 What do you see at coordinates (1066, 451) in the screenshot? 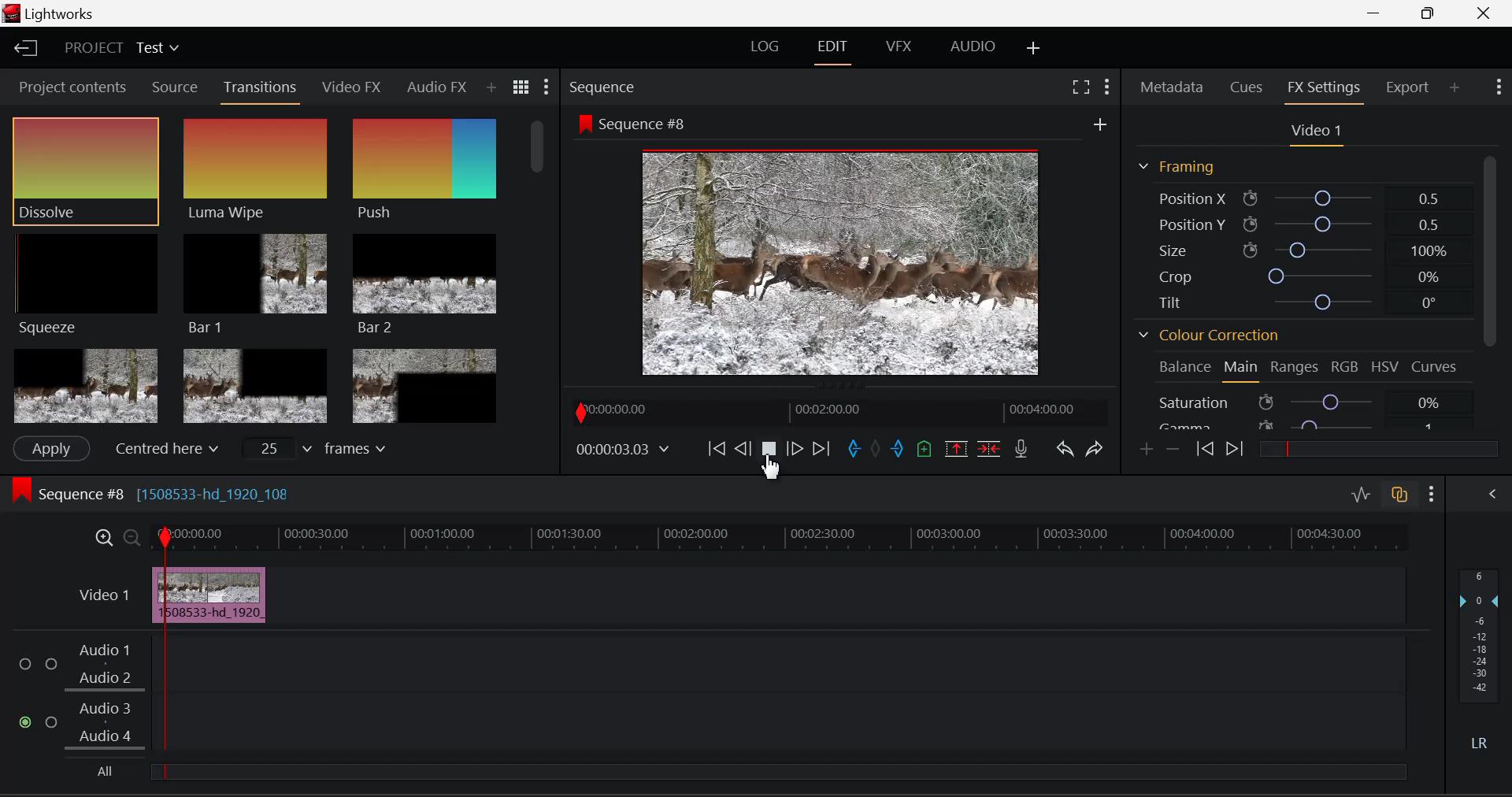
I see `Undo` at bounding box center [1066, 451].